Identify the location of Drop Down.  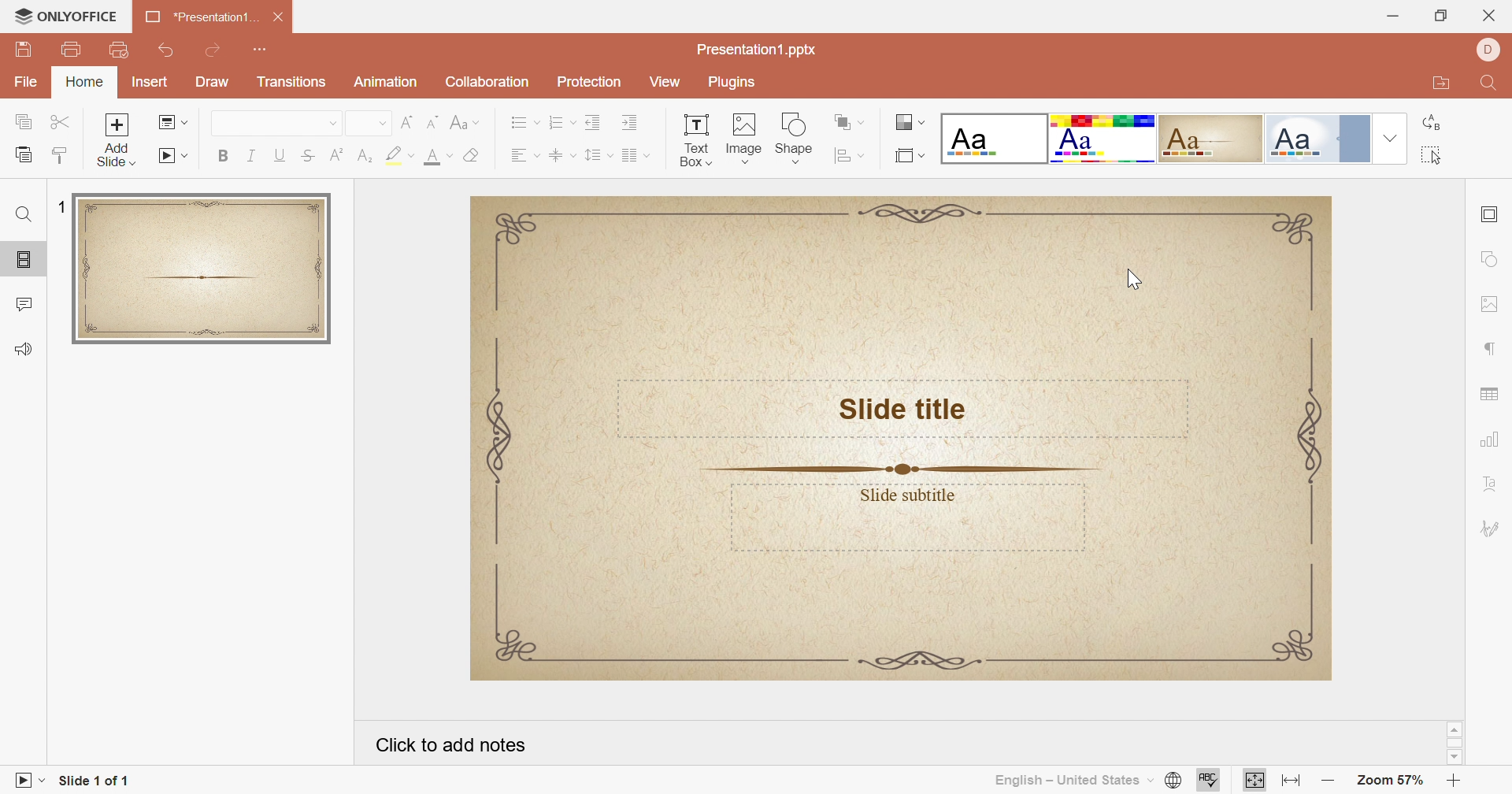
(650, 154).